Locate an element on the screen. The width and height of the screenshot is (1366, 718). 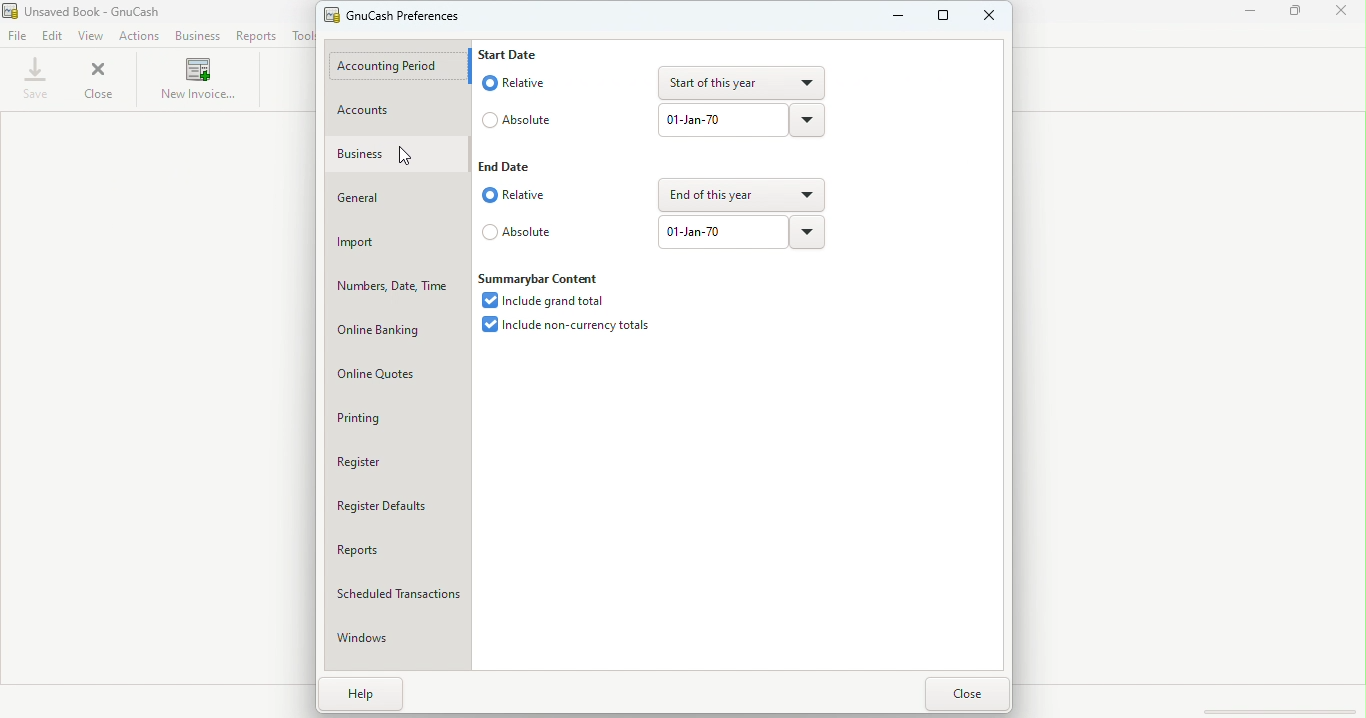
Help is located at coordinates (355, 693).